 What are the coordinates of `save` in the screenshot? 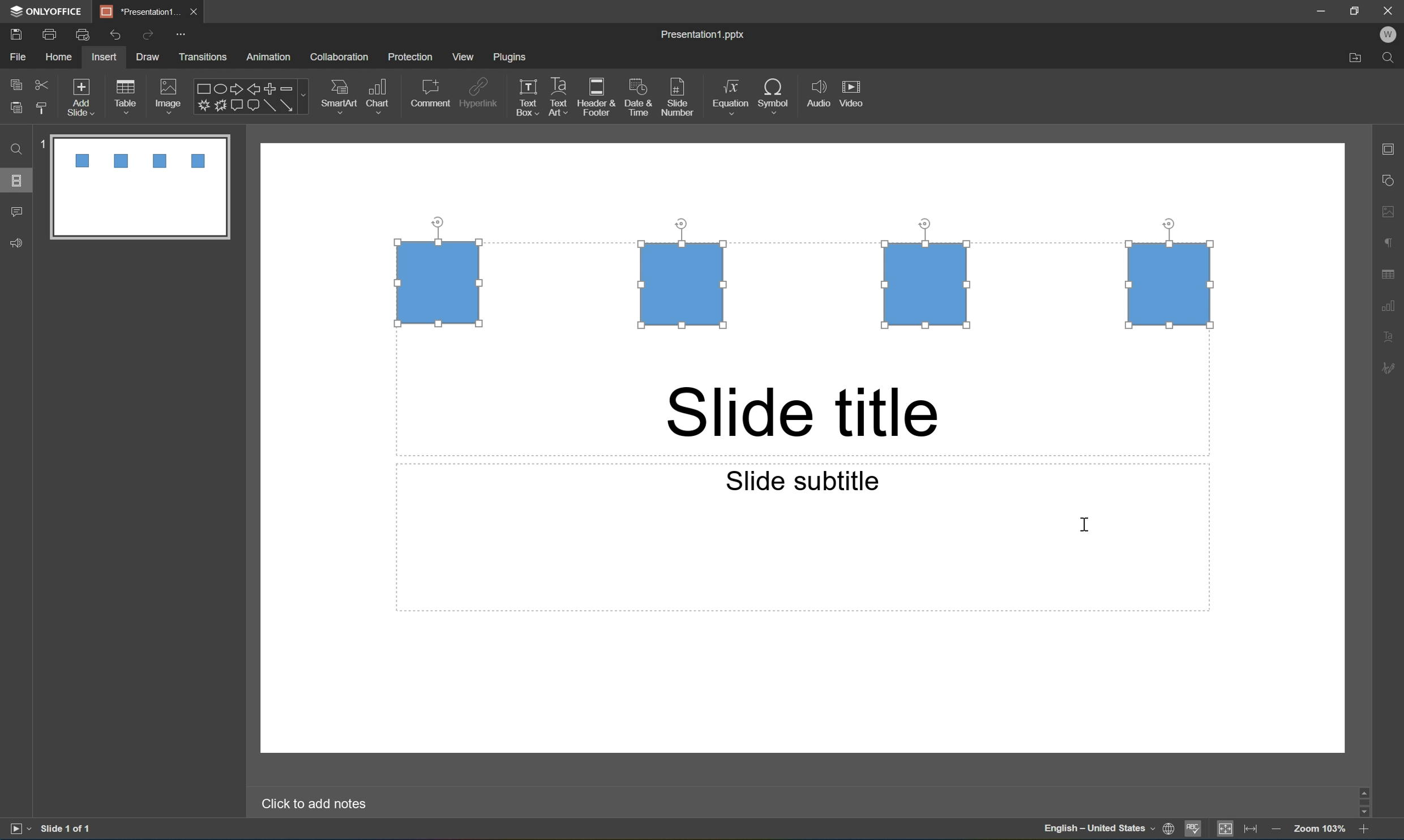 It's located at (14, 33).